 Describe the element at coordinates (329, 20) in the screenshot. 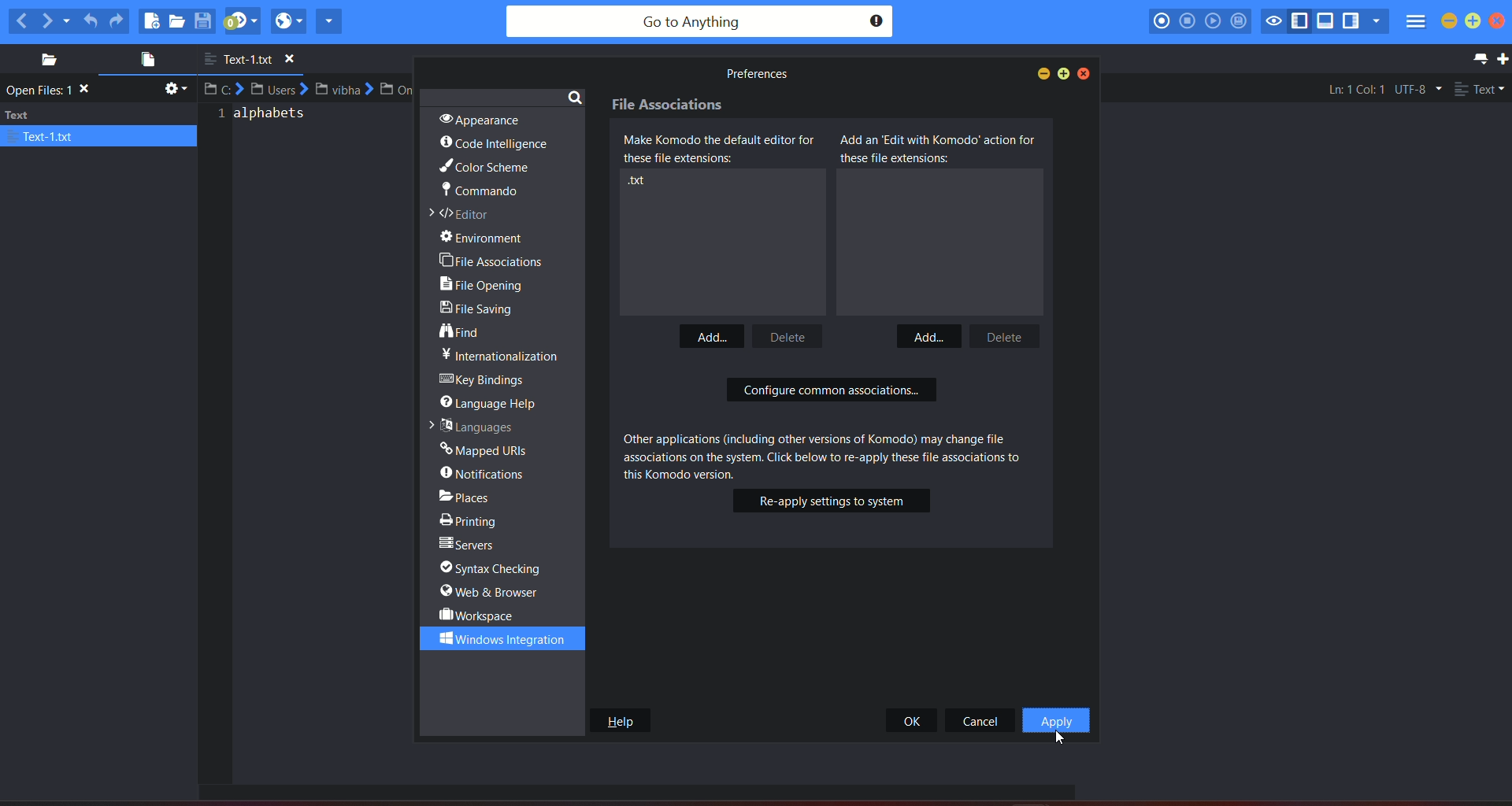

I see `share current file` at that location.